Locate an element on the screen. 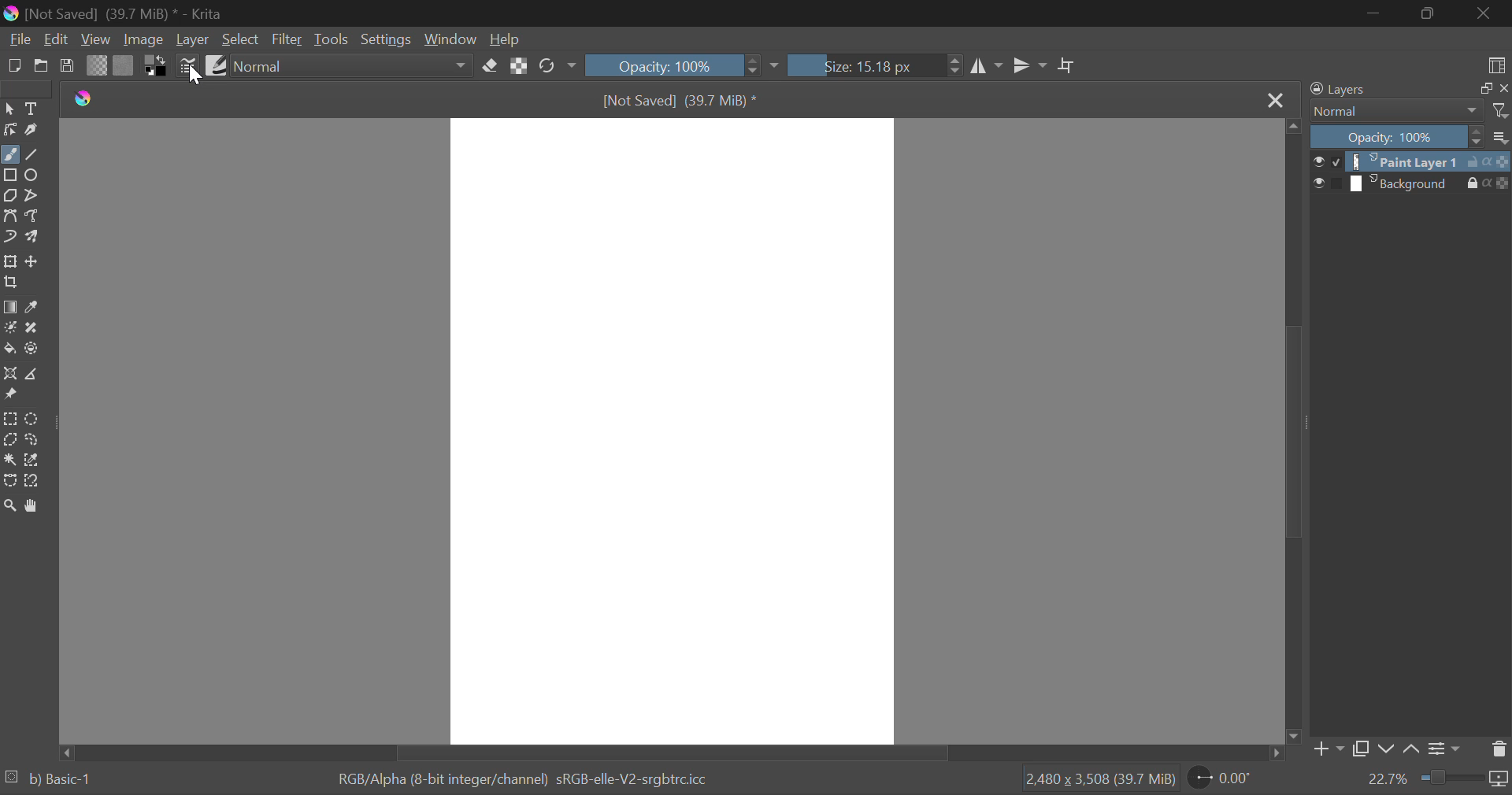  Normal is located at coordinates (1408, 112).